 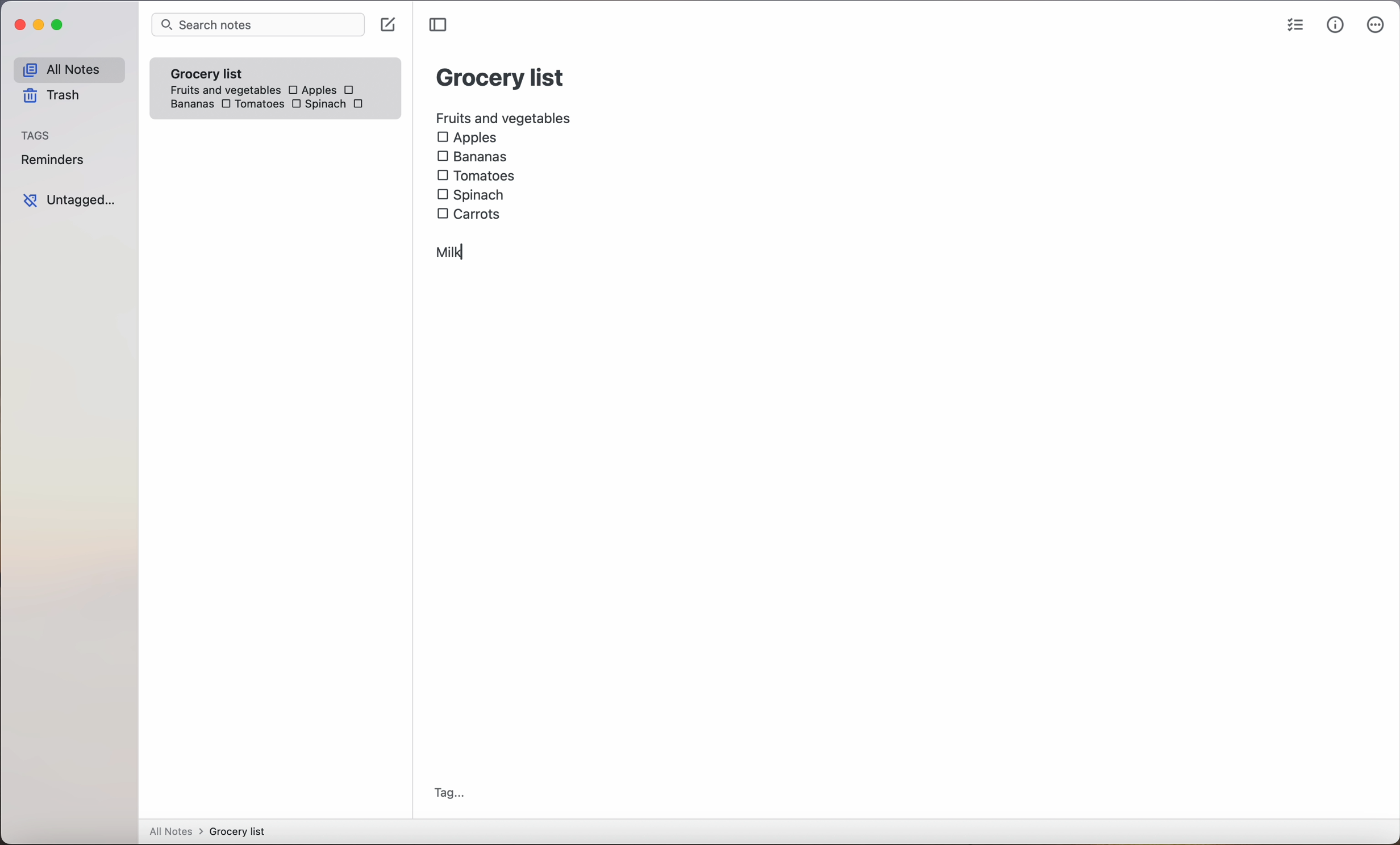 What do you see at coordinates (467, 138) in the screenshot?
I see `Apples checkbox` at bounding box center [467, 138].